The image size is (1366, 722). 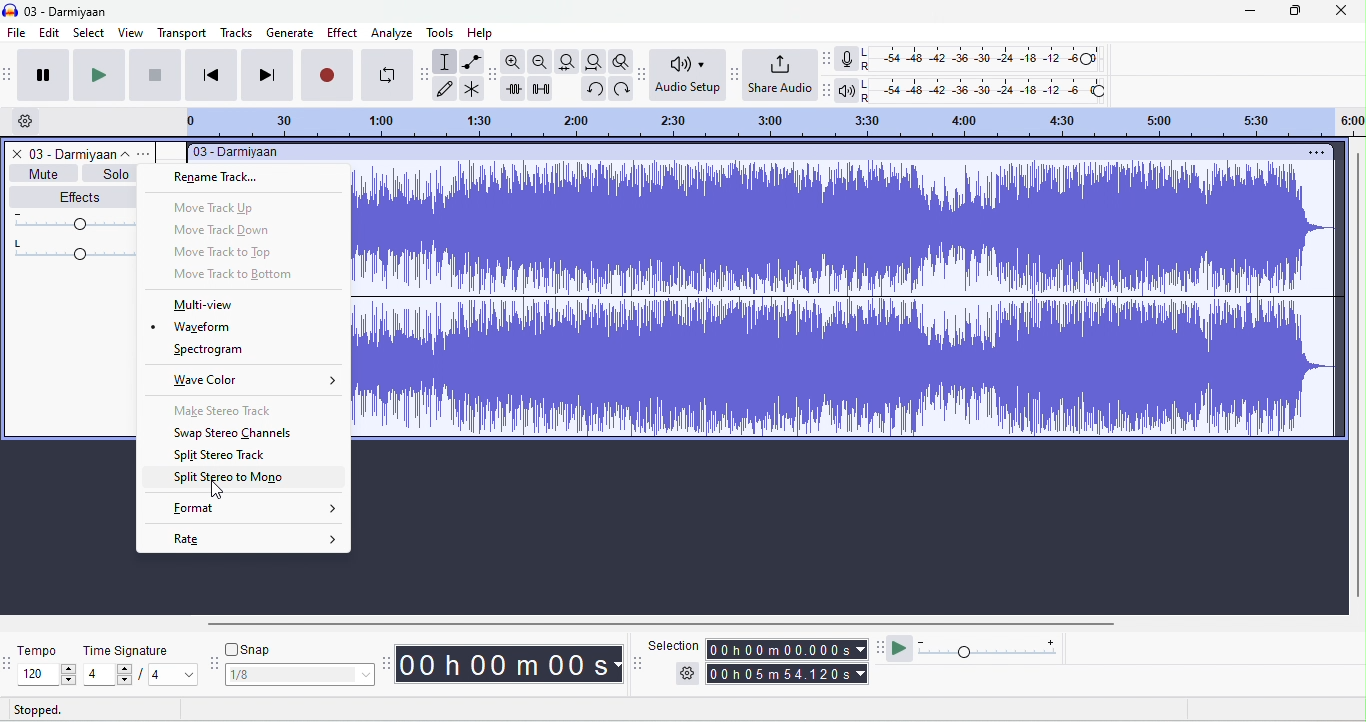 I want to click on record, so click(x=329, y=75).